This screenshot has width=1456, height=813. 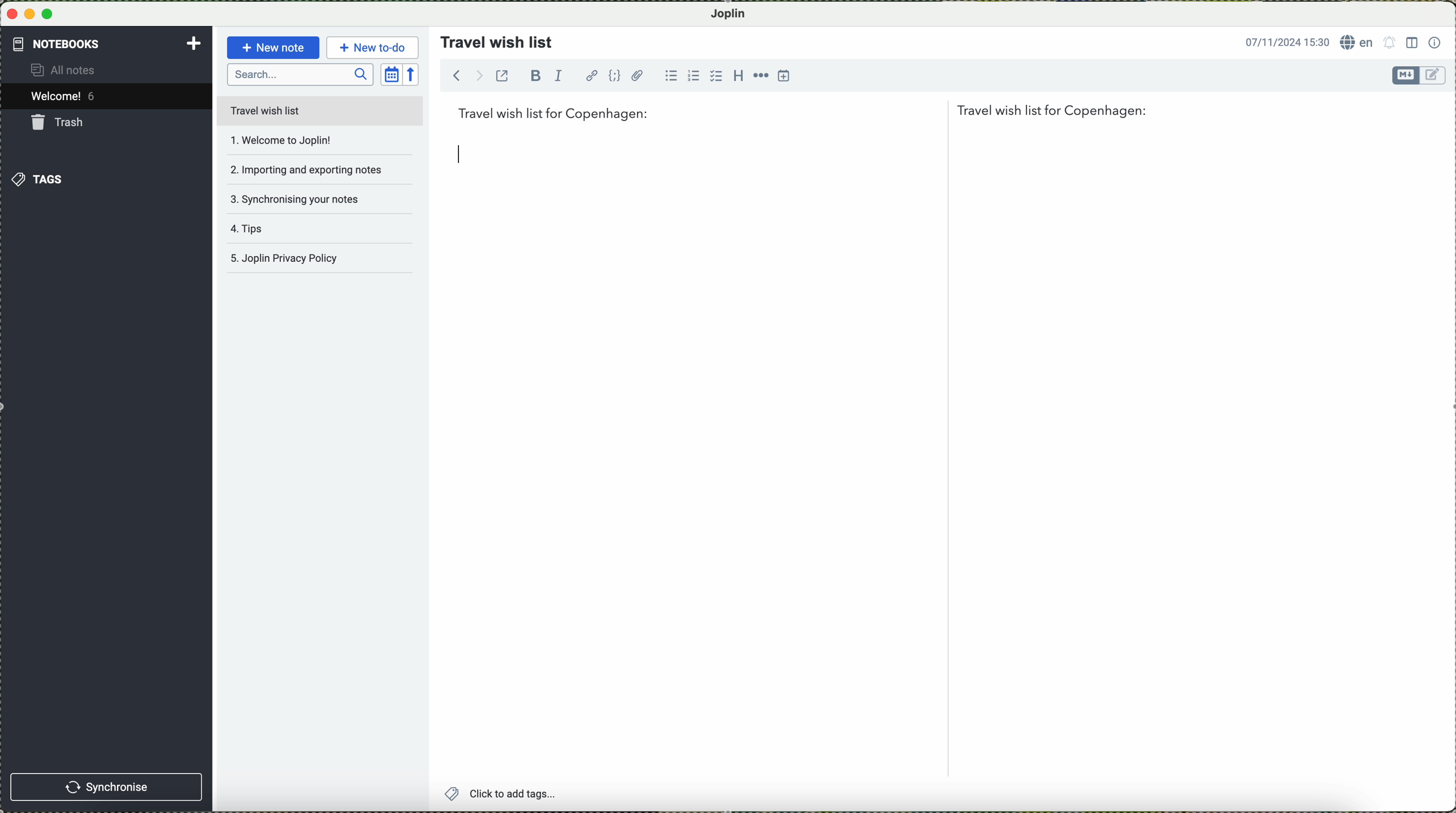 What do you see at coordinates (591, 75) in the screenshot?
I see `hyperlink` at bounding box center [591, 75].